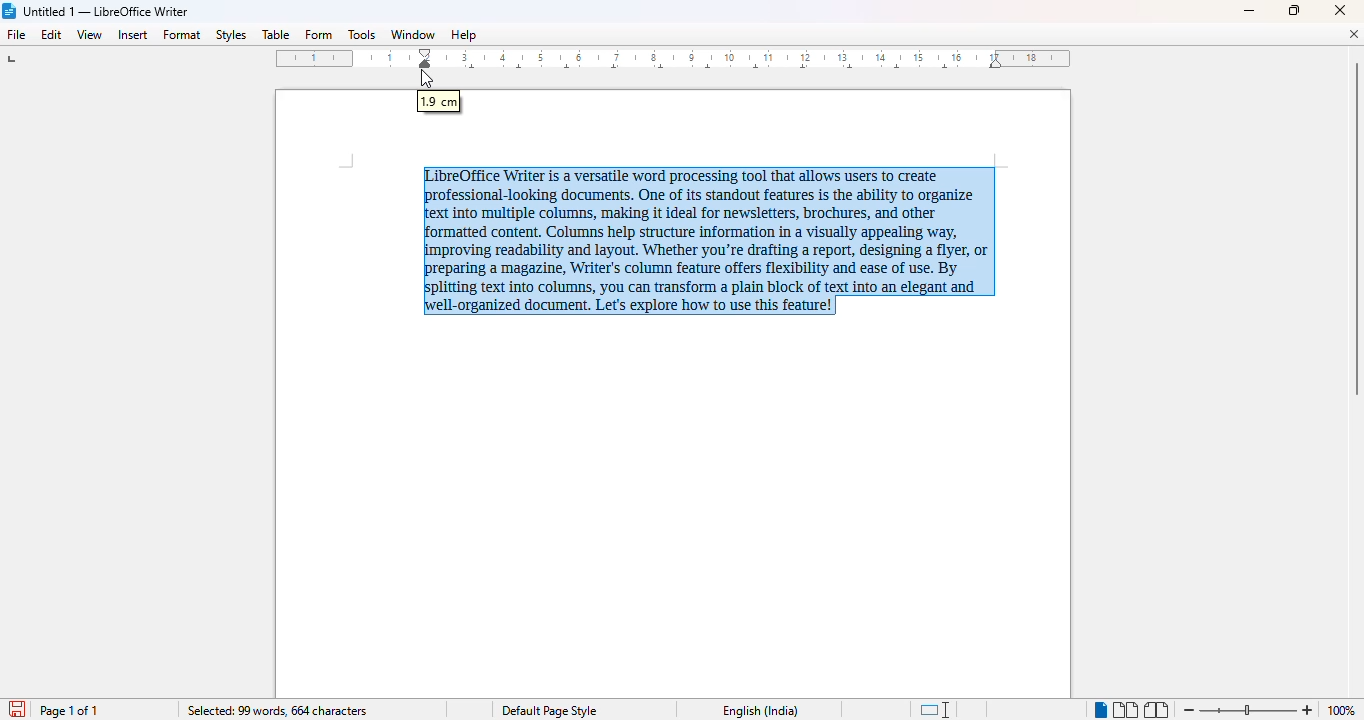 Image resolution: width=1364 pixels, height=720 pixels. I want to click on close document, so click(1353, 34).